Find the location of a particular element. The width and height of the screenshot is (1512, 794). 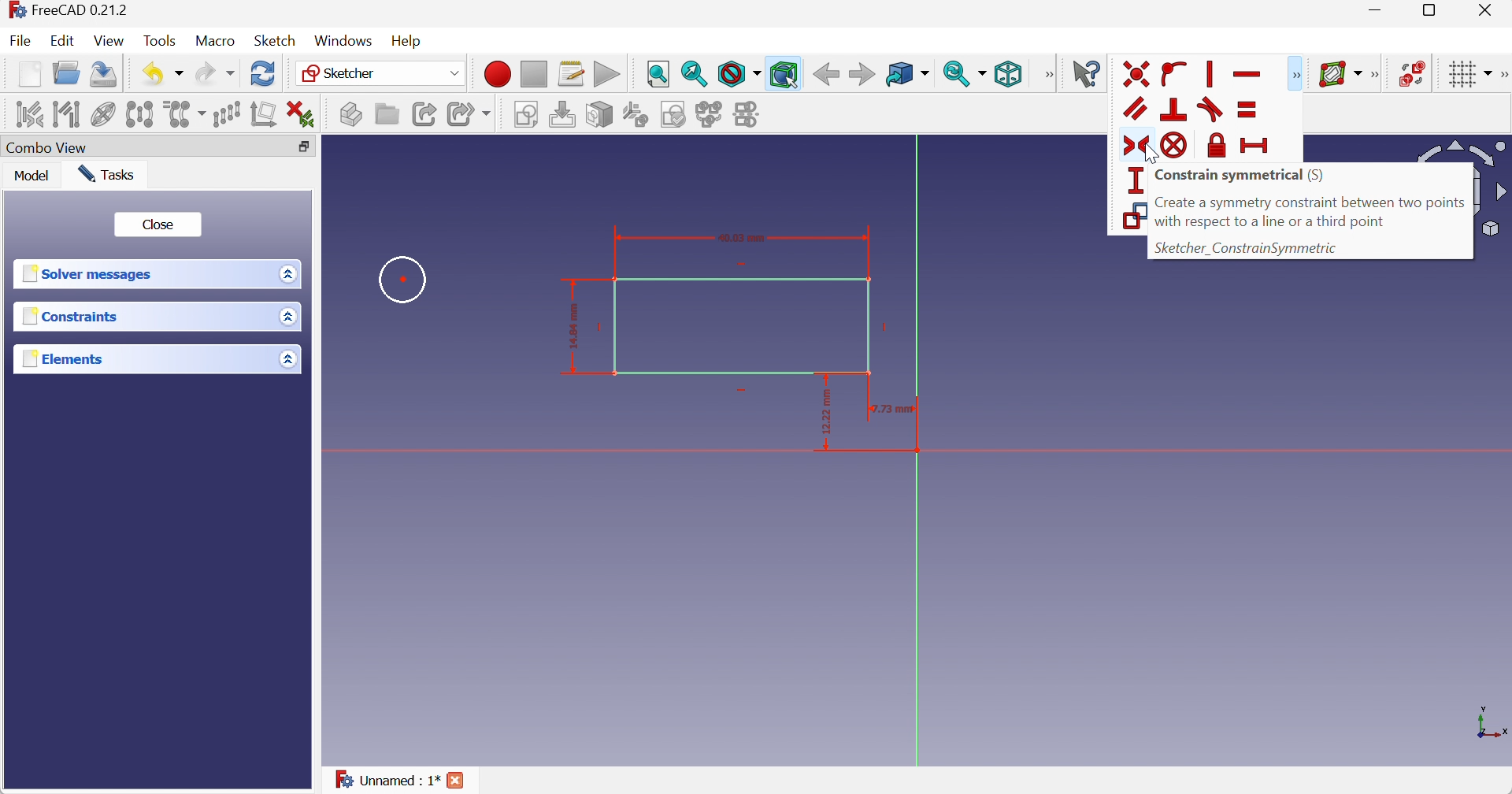

Make link is located at coordinates (425, 114).